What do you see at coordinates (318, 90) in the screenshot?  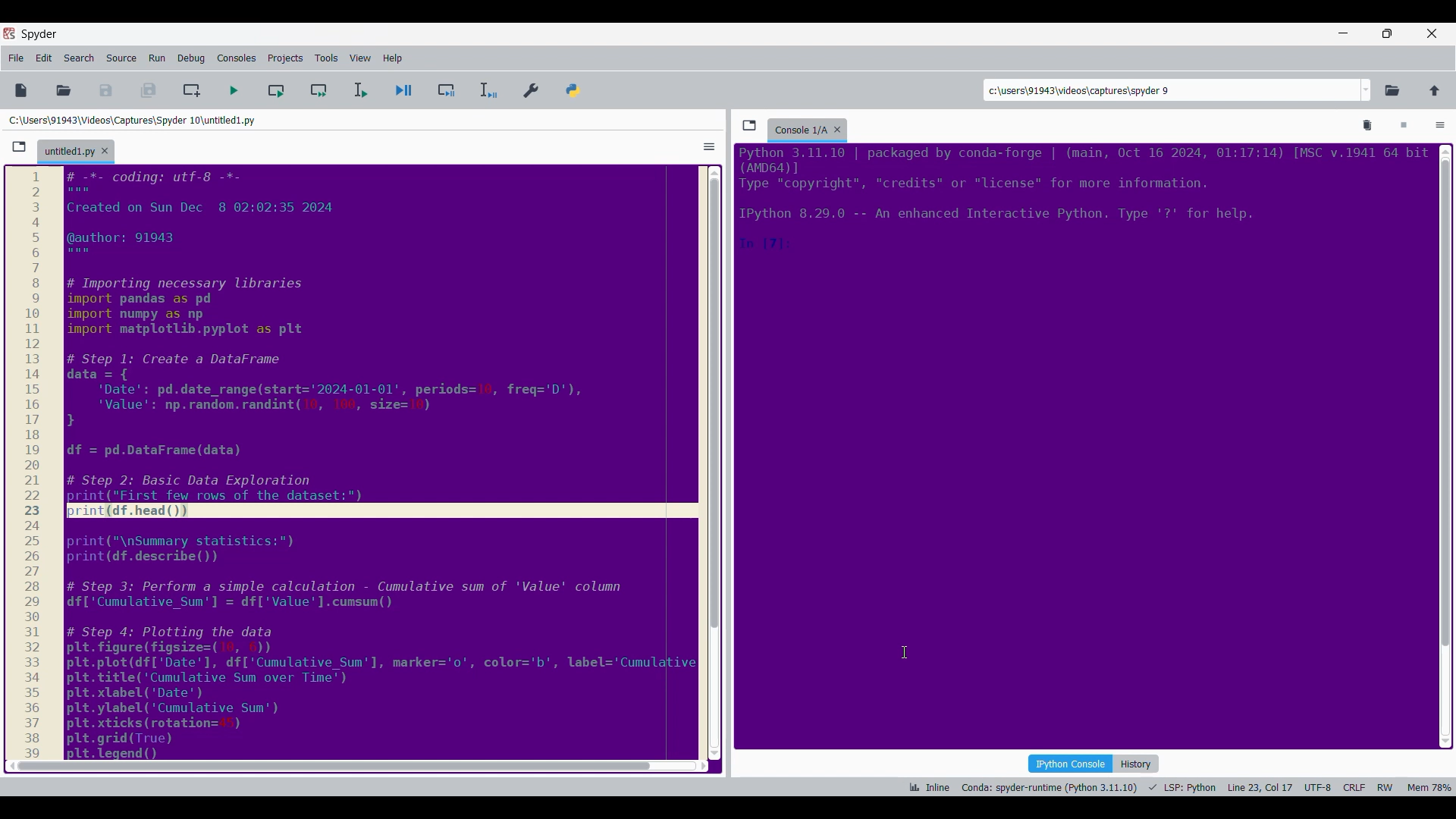 I see `Run current cell and go to next one` at bounding box center [318, 90].